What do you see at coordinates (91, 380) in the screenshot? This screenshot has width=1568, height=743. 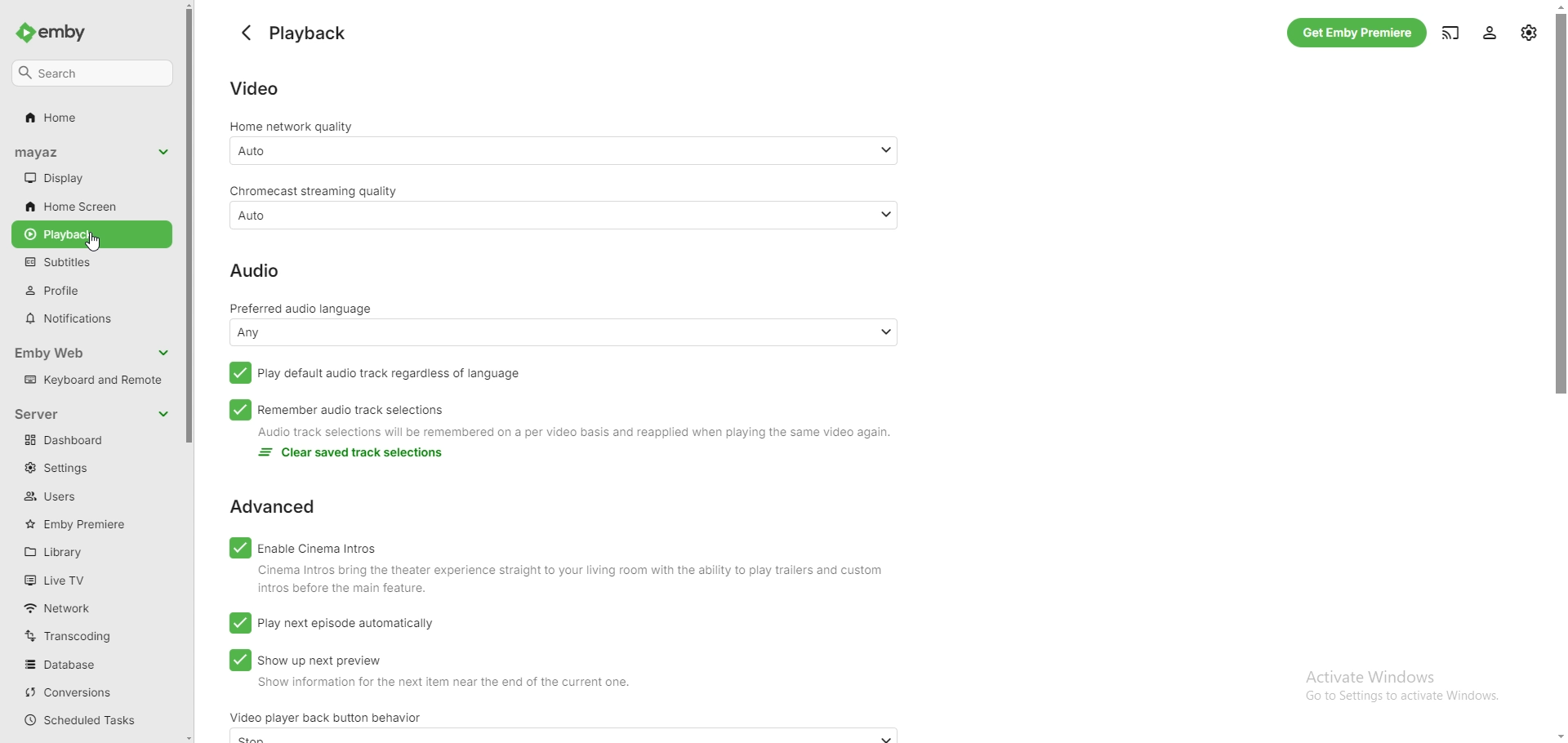 I see `keyboard and remote` at bounding box center [91, 380].